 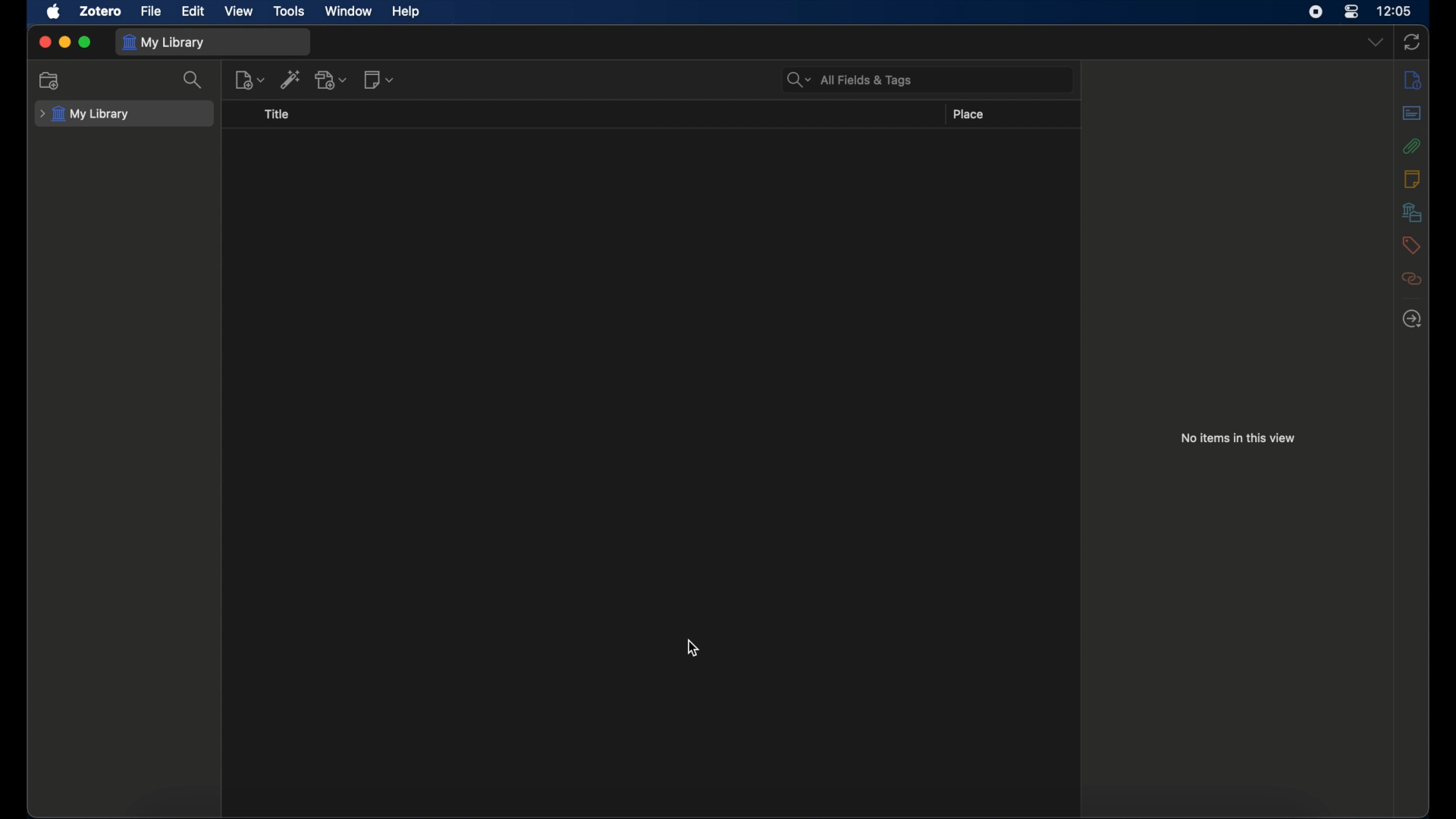 What do you see at coordinates (1414, 212) in the screenshot?
I see `libraries` at bounding box center [1414, 212].